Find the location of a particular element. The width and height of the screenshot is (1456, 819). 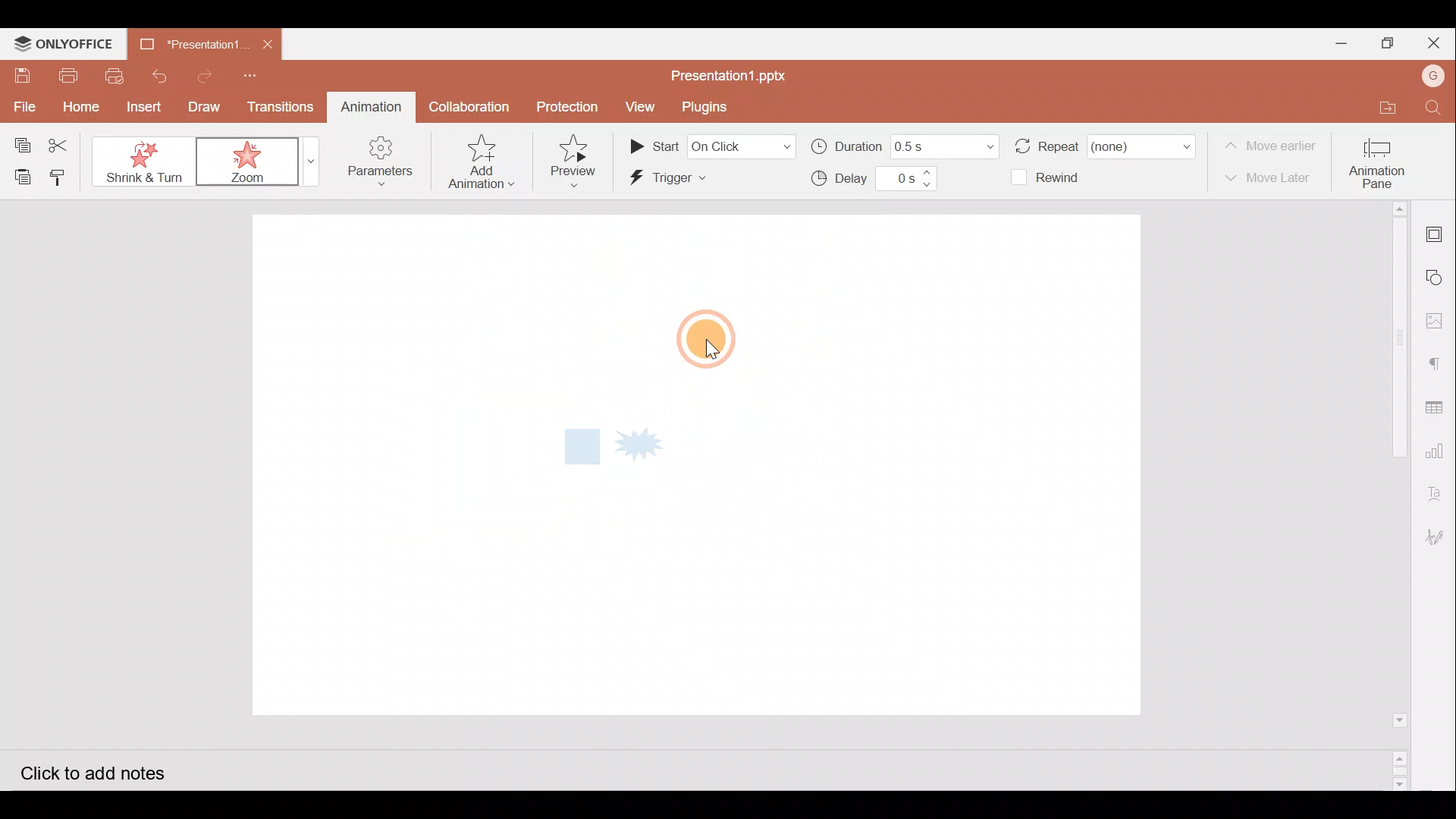

Copy style is located at coordinates (65, 175).